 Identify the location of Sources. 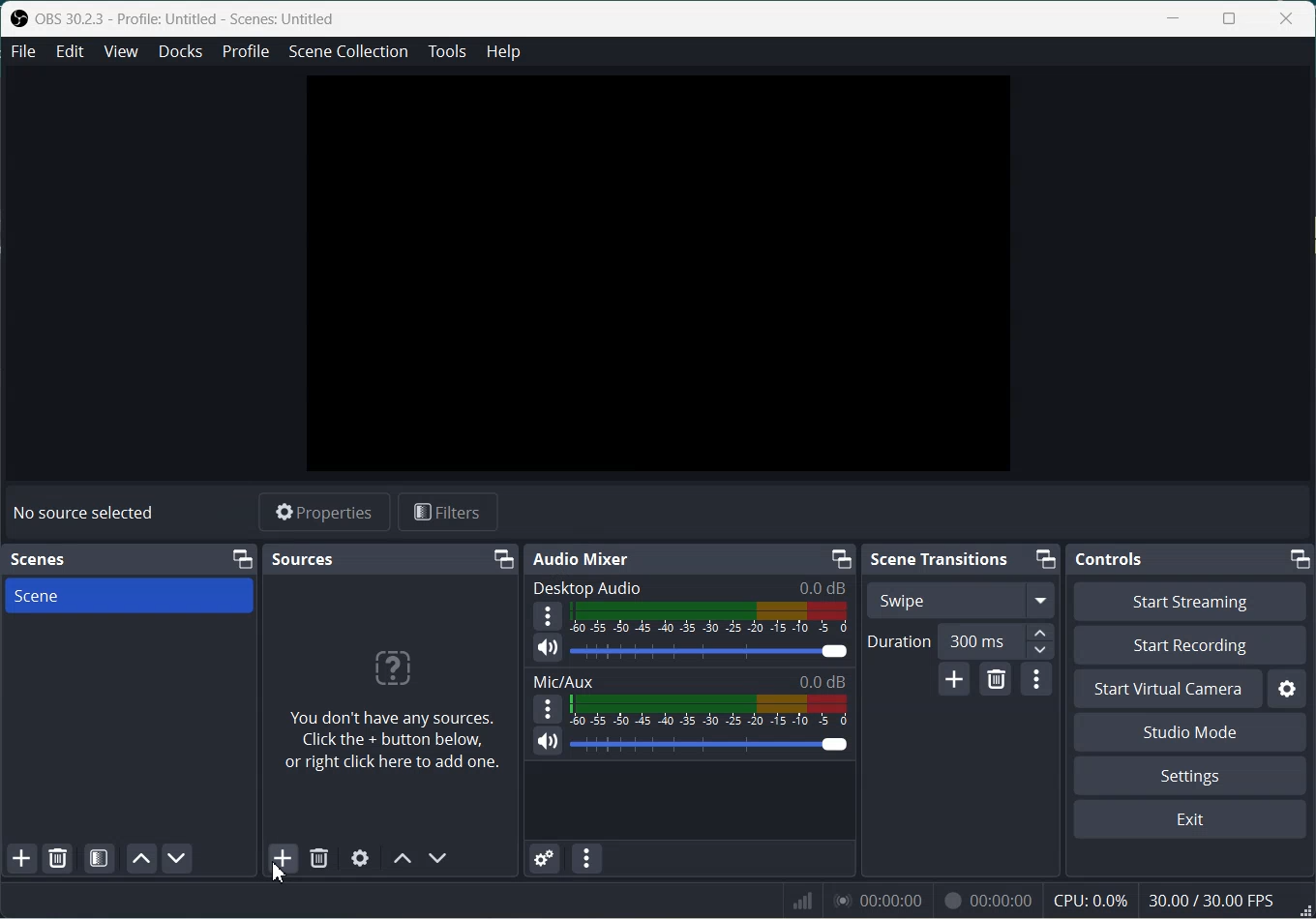
(300, 560).